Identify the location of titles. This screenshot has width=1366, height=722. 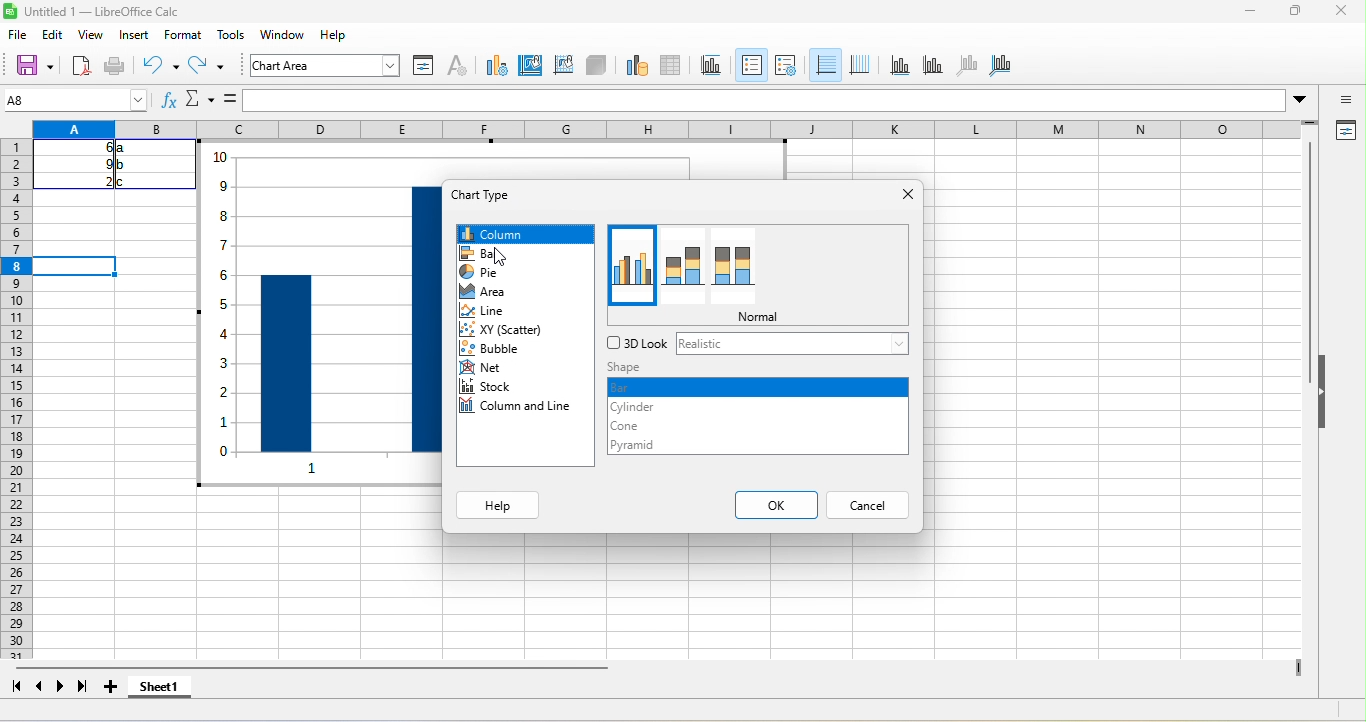
(750, 64).